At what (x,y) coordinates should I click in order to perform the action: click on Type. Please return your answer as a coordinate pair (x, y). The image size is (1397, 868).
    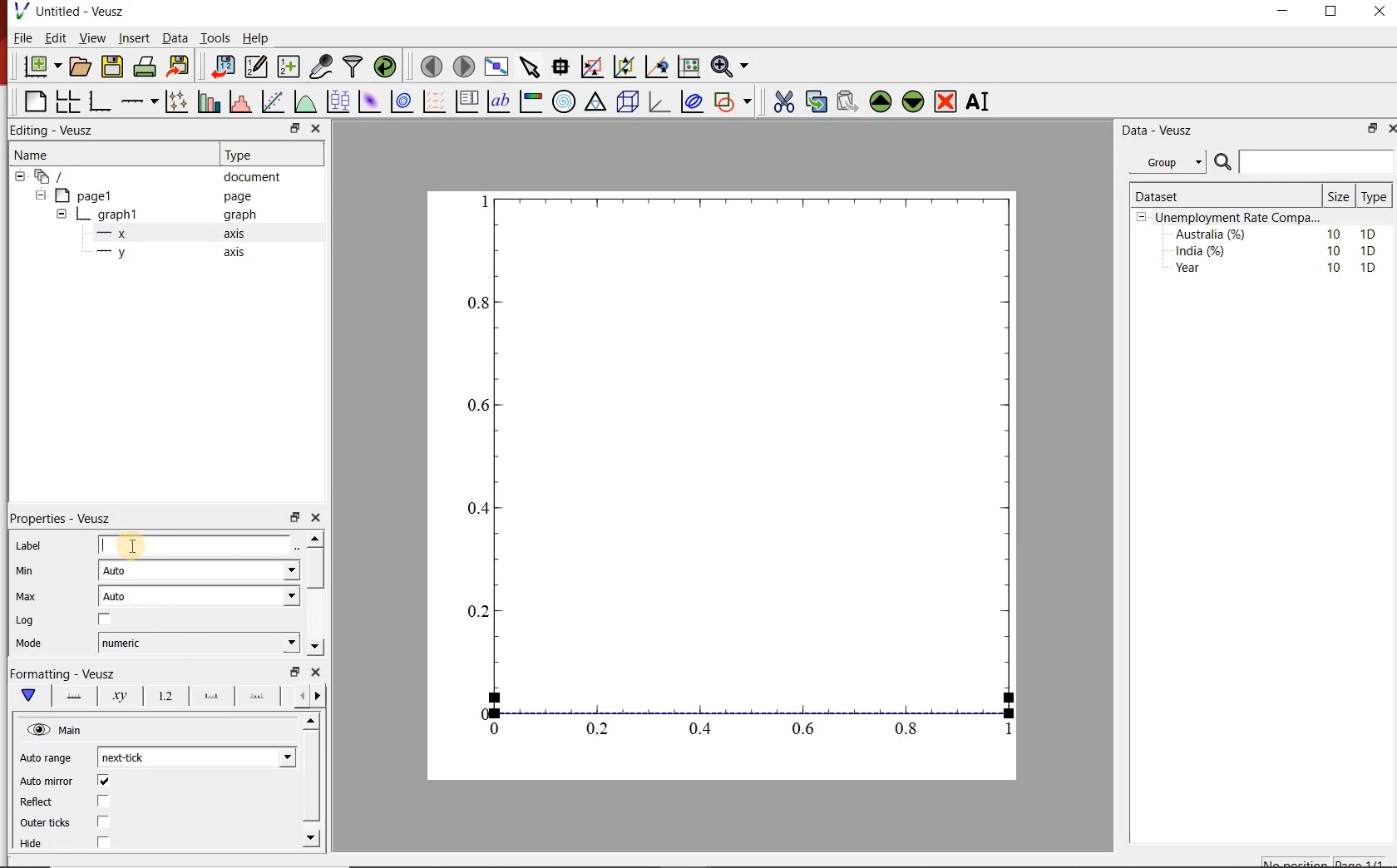
    Looking at the image, I should click on (260, 155).